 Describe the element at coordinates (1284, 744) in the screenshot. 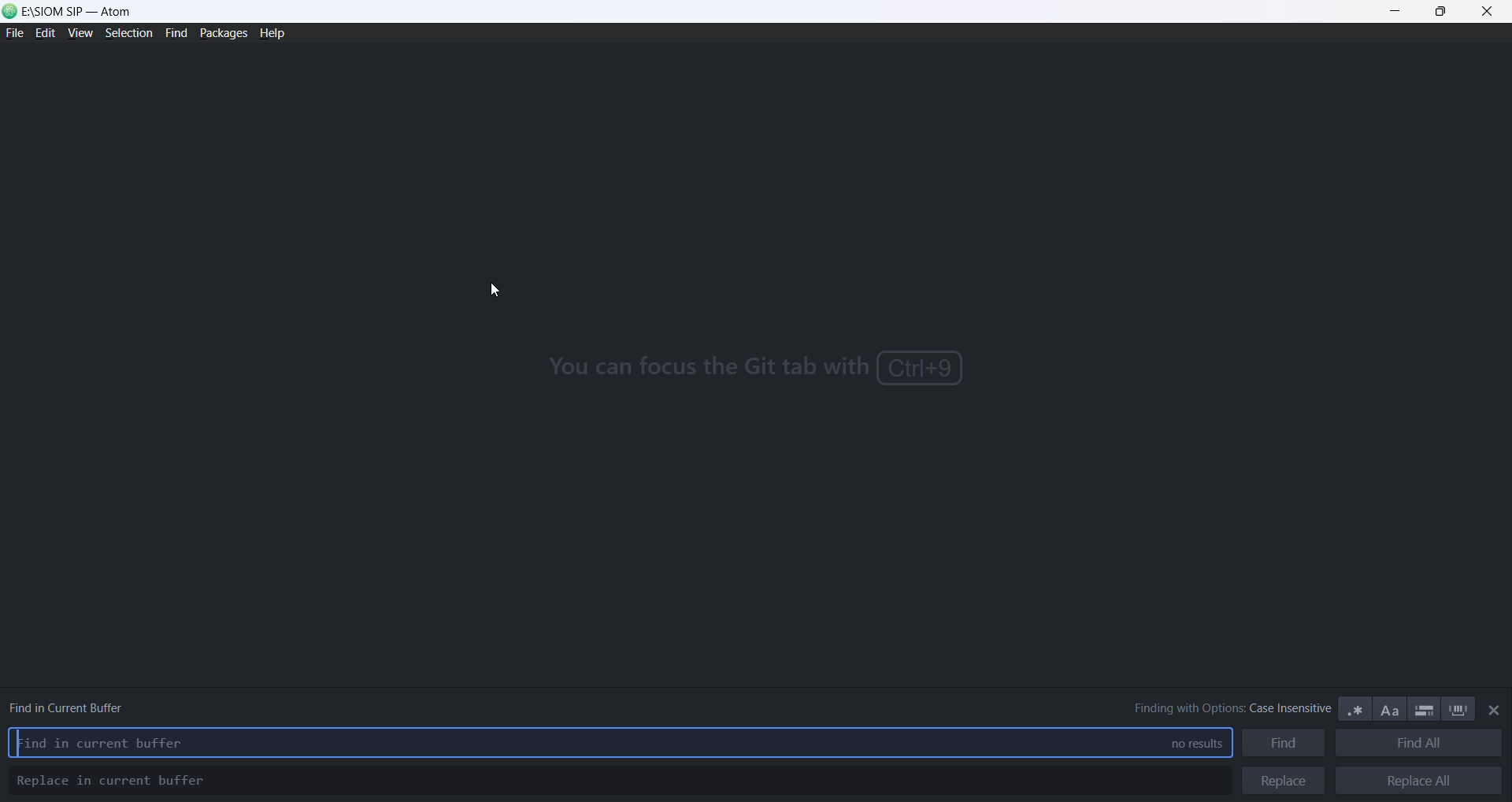

I see `find` at that location.